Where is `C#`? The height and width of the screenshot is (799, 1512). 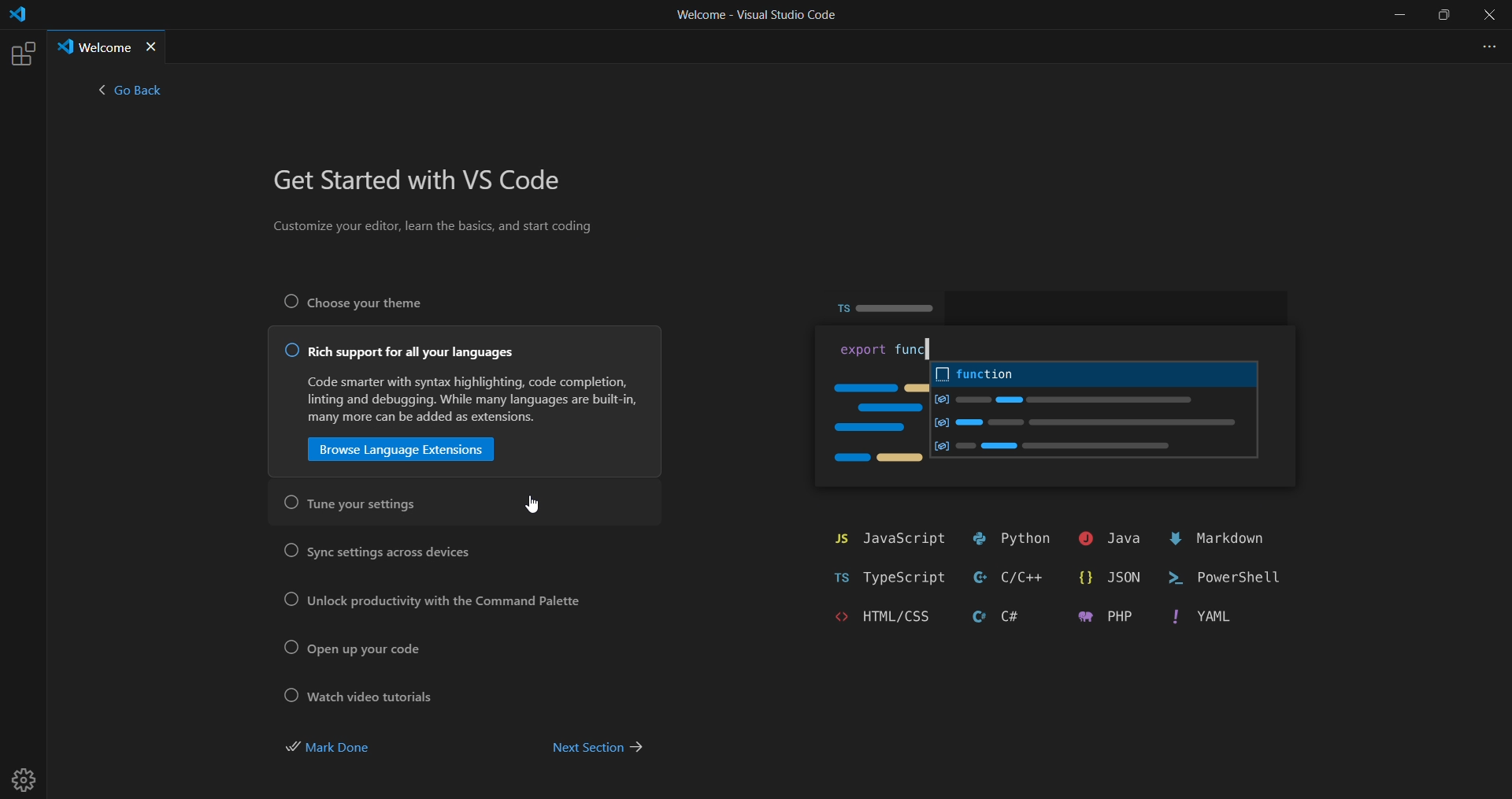
C# is located at coordinates (986, 617).